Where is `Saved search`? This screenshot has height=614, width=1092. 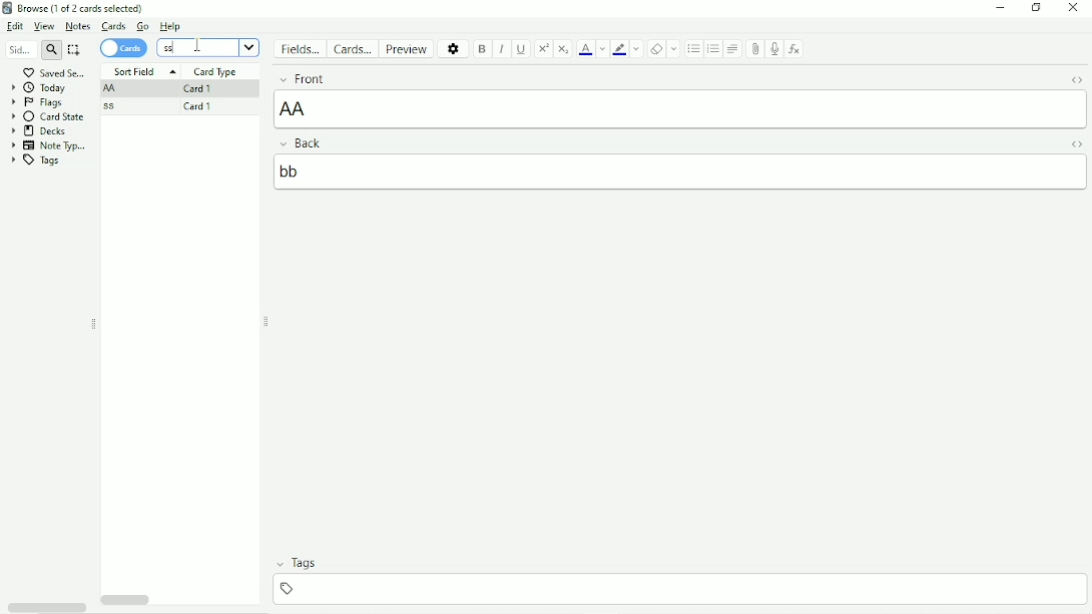
Saved search is located at coordinates (54, 72).